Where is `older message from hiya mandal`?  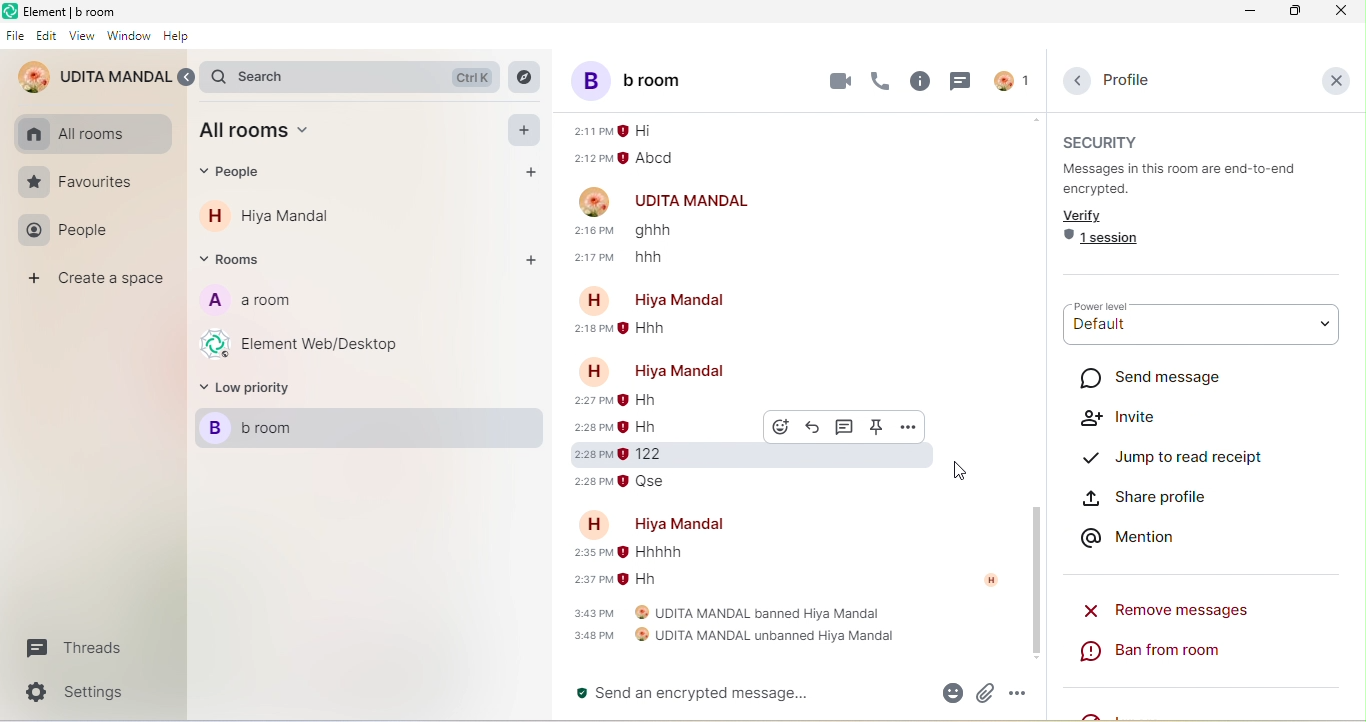
older message from hiya mandal is located at coordinates (632, 334).